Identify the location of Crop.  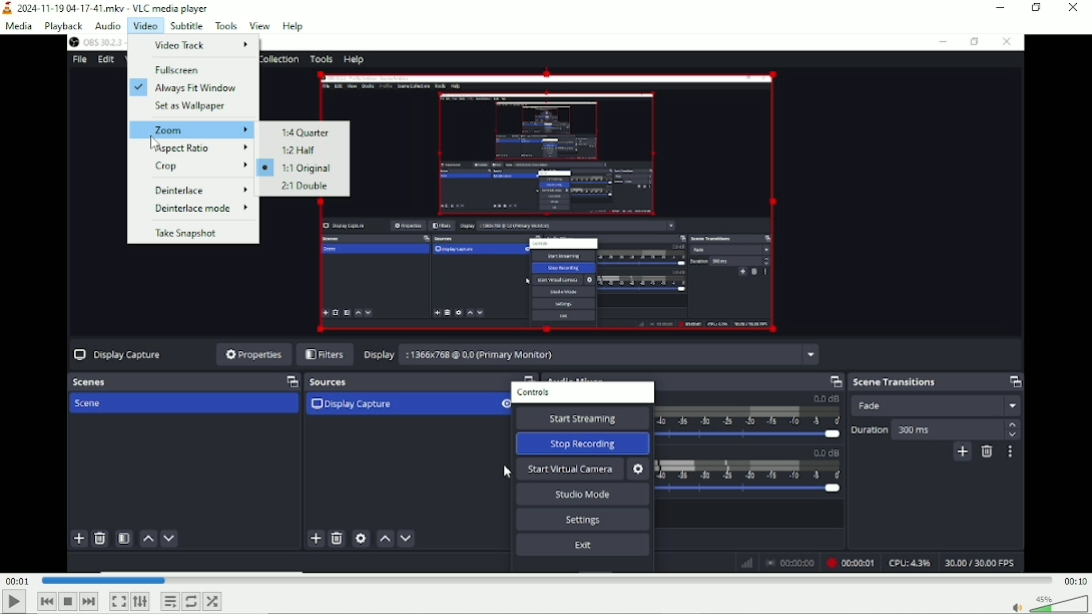
(193, 167).